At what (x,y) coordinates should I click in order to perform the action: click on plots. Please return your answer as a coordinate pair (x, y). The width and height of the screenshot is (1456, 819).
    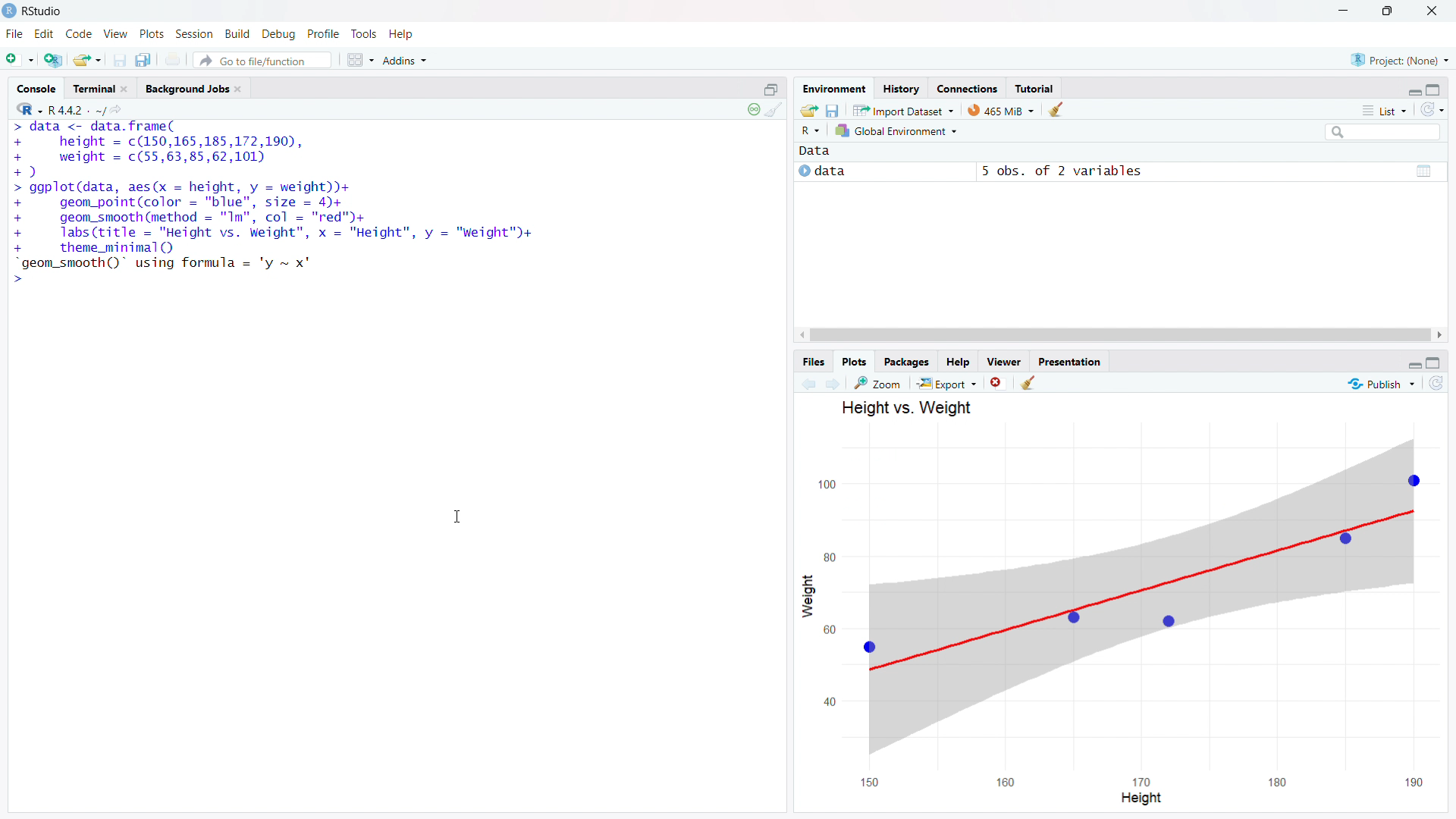
    Looking at the image, I should click on (855, 362).